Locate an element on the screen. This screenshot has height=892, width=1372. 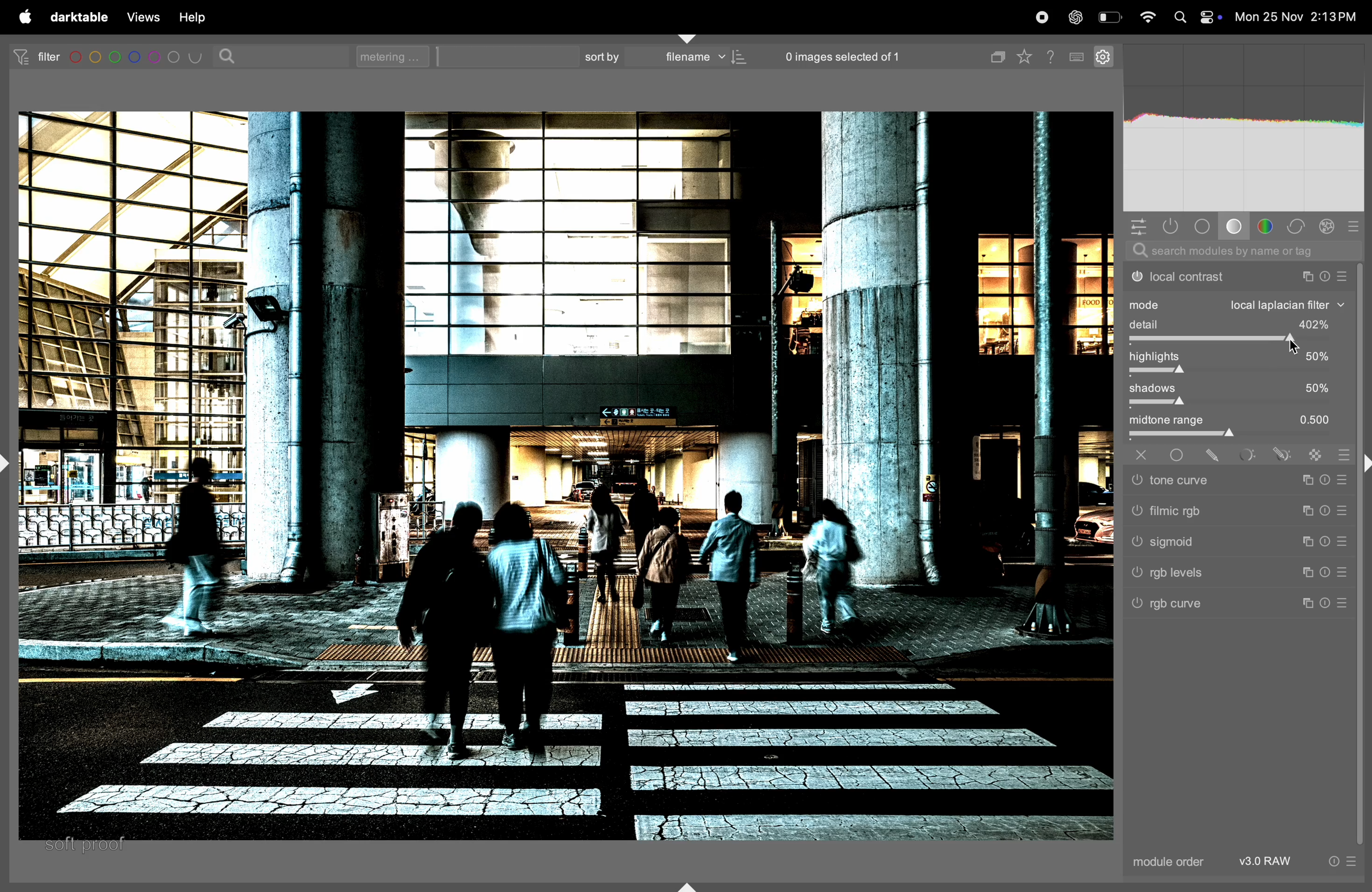
sigmoid switched off is located at coordinates (1134, 544).